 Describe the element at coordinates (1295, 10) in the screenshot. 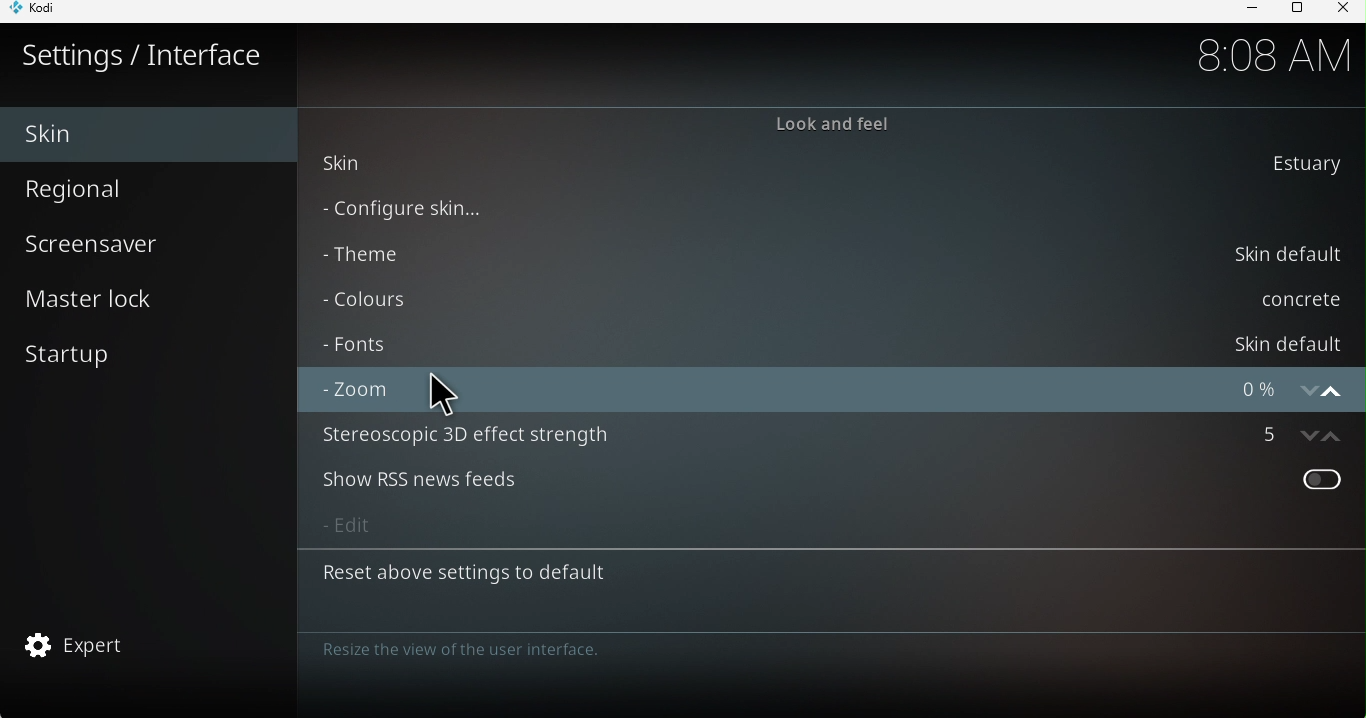

I see `Maximize` at that location.